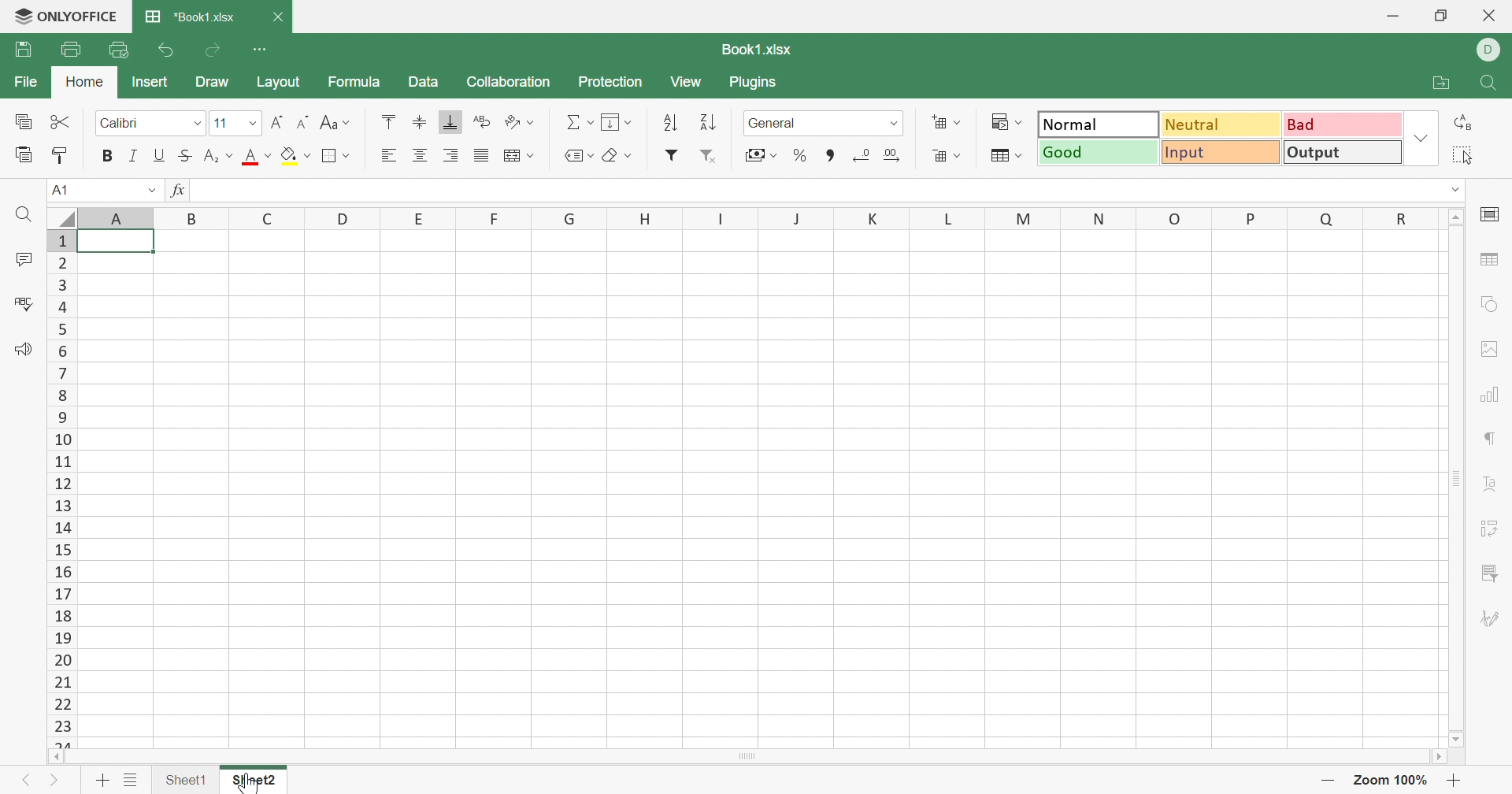  Describe the element at coordinates (169, 50) in the screenshot. I see `Undo` at that location.